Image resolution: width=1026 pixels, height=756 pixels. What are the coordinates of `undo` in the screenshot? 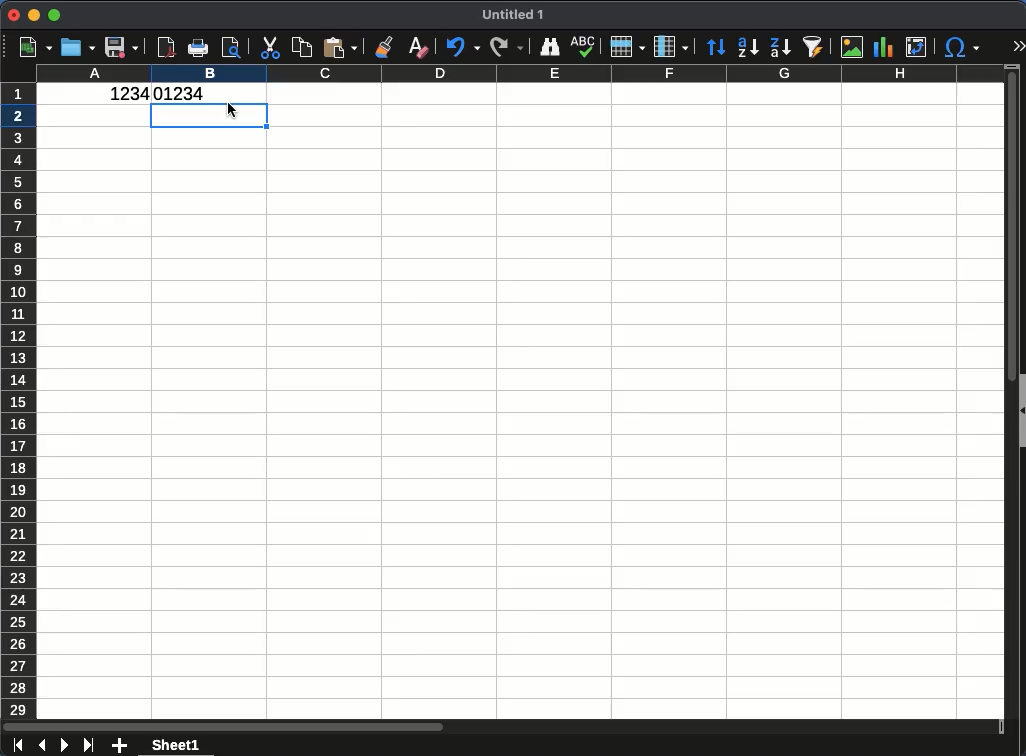 It's located at (462, 48).